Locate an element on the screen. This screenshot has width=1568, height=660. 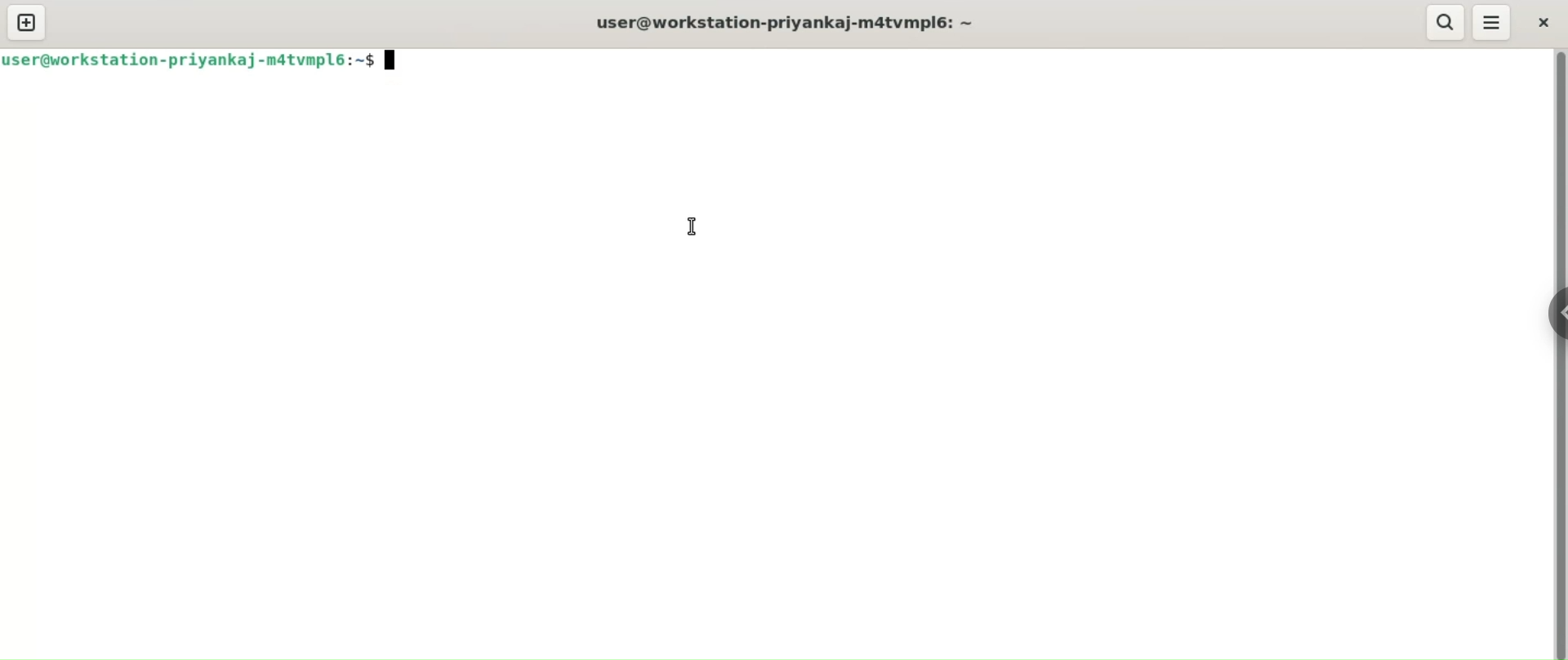
menu is located at coordinates (1493, 24).